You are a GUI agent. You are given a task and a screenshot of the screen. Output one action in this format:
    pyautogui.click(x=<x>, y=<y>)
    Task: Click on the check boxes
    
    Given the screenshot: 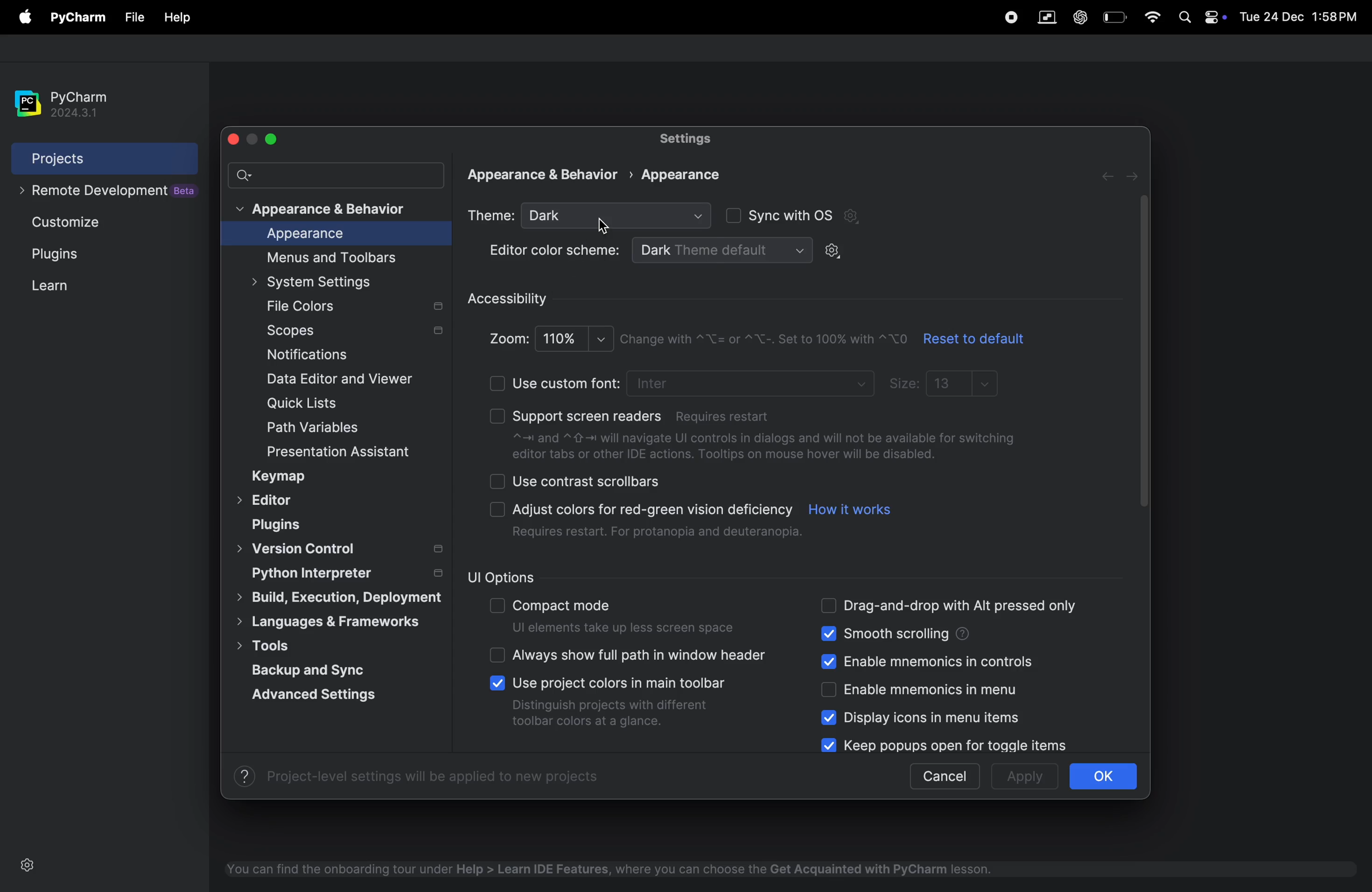 What is the action you would take?
    pyautogui.click(x=497, y=653)
    